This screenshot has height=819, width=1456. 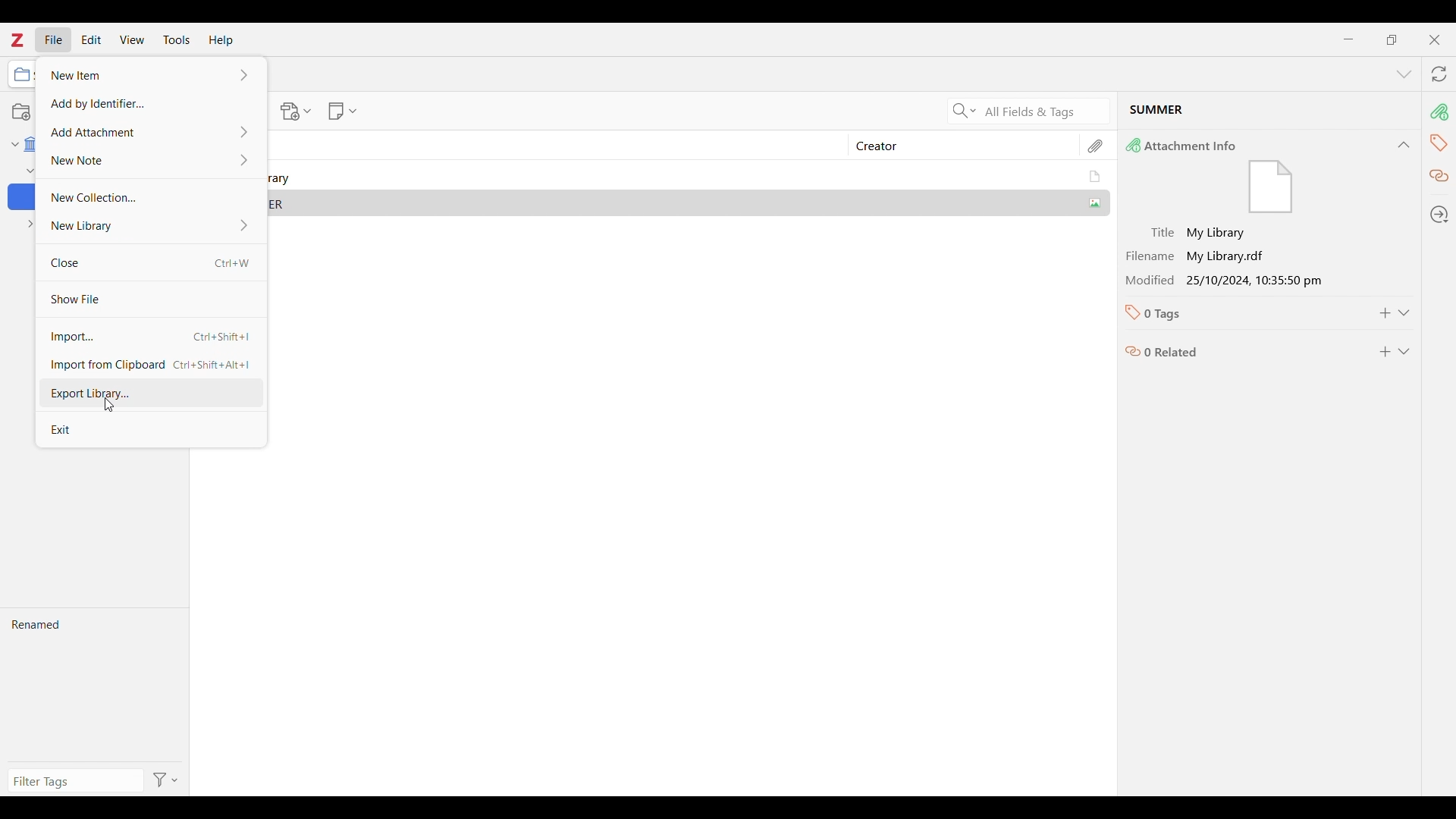 What do you see at coordinates (1385, 352) in the screenshot?
I see `Add` at bounding box center [1385, 352].